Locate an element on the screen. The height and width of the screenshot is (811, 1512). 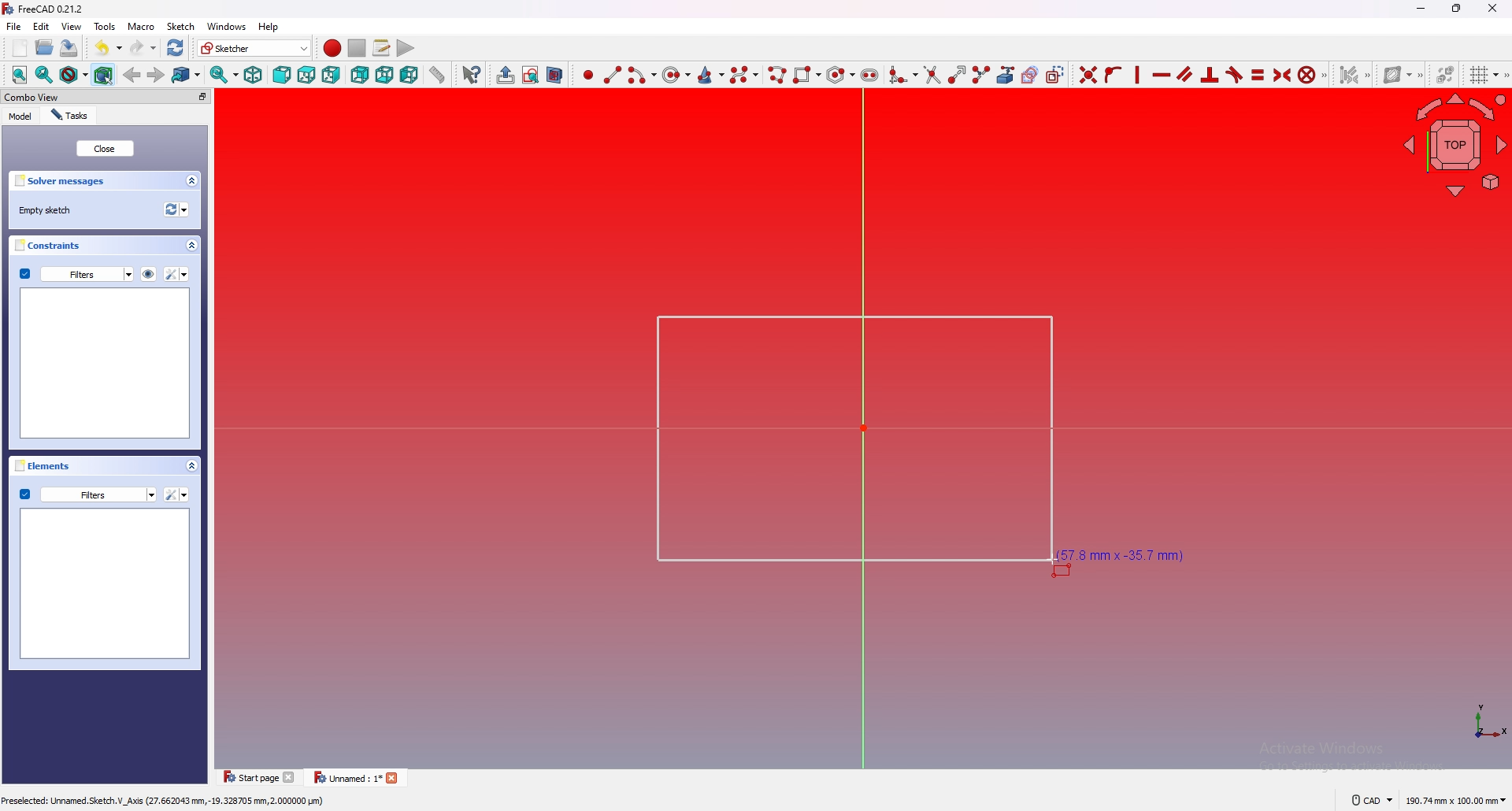
rear is located at coordinates (359, 75).